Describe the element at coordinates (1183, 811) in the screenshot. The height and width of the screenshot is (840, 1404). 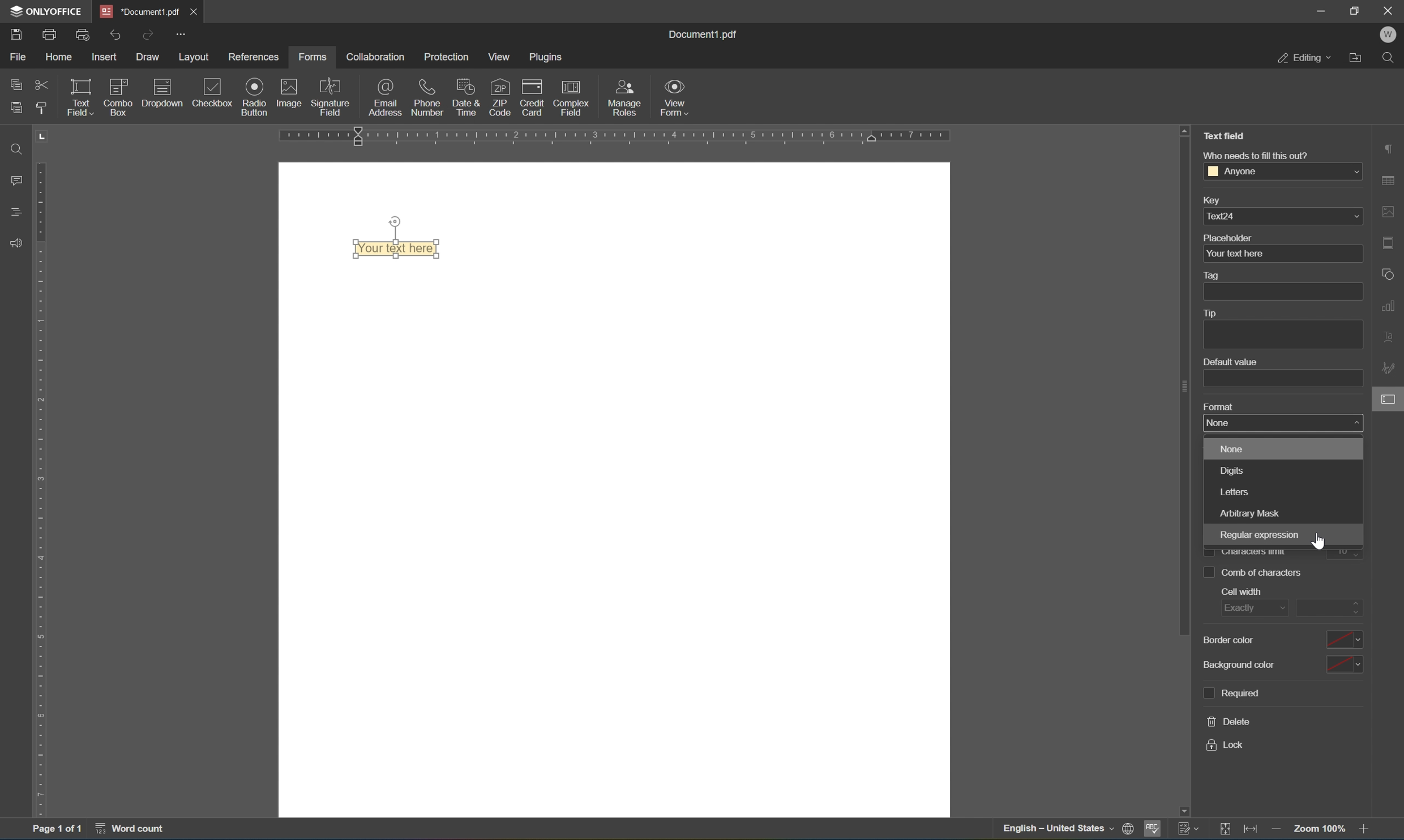
I see `scroll down` at that location.